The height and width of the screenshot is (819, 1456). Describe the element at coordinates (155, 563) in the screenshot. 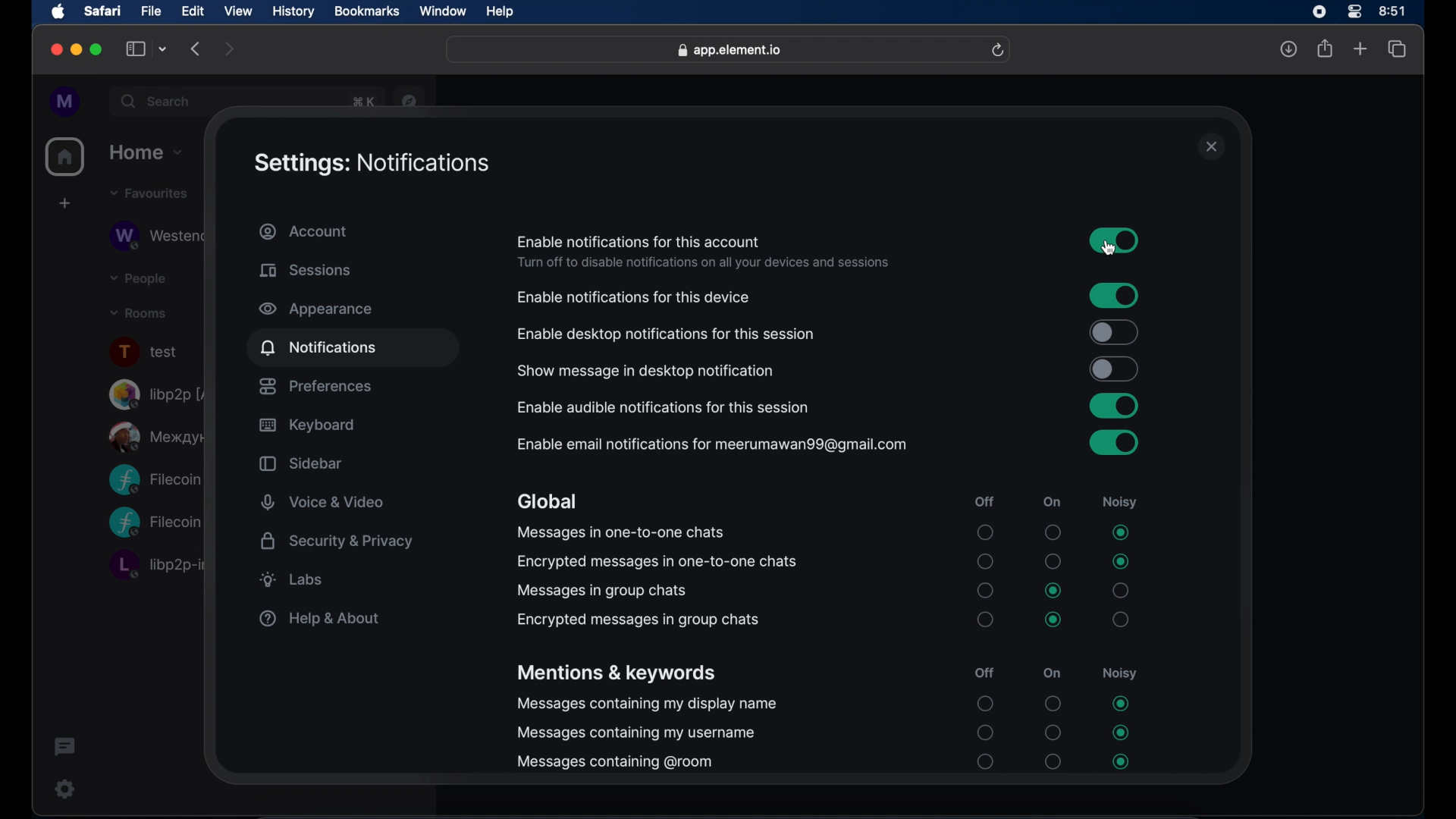

I see `libp2p room` at that location.